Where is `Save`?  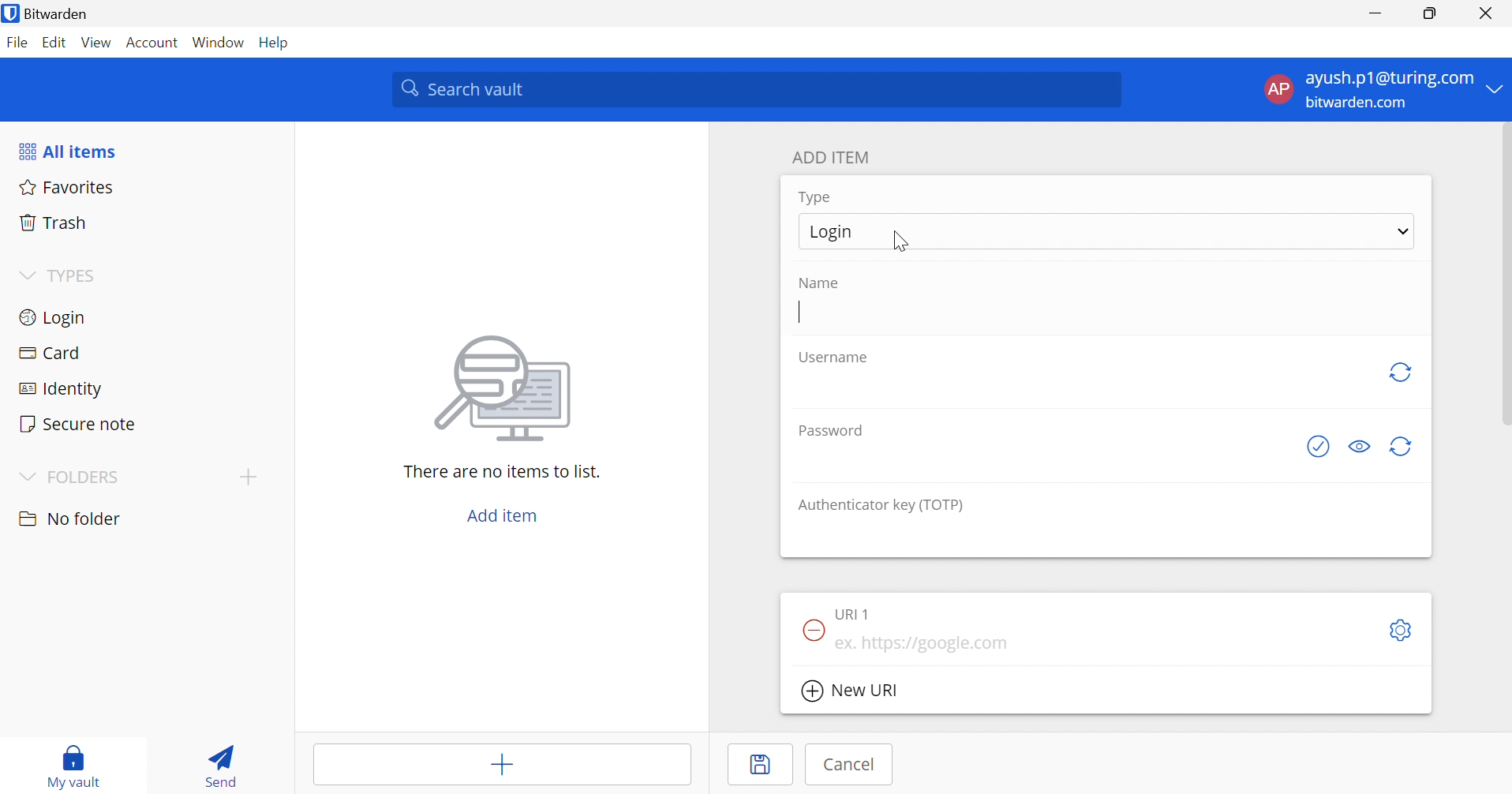 Save is located at coordinates (765, 766).